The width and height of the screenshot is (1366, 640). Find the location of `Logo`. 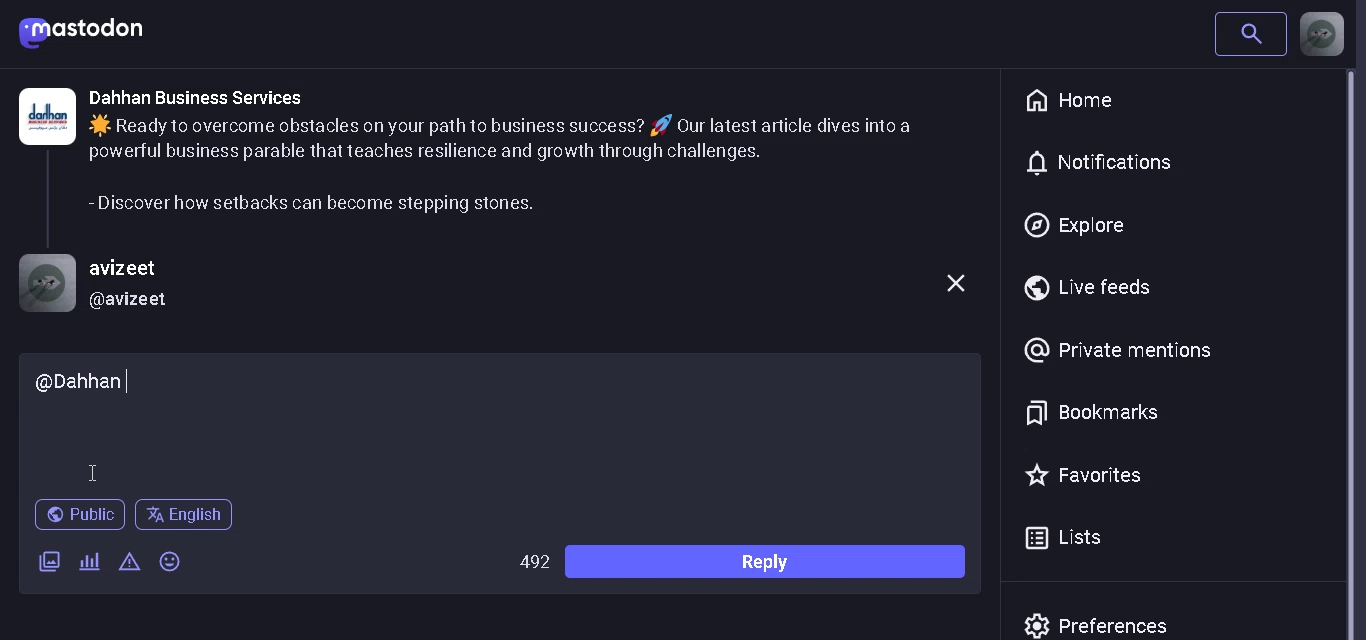

Logo is located at coordinates (46, 116).